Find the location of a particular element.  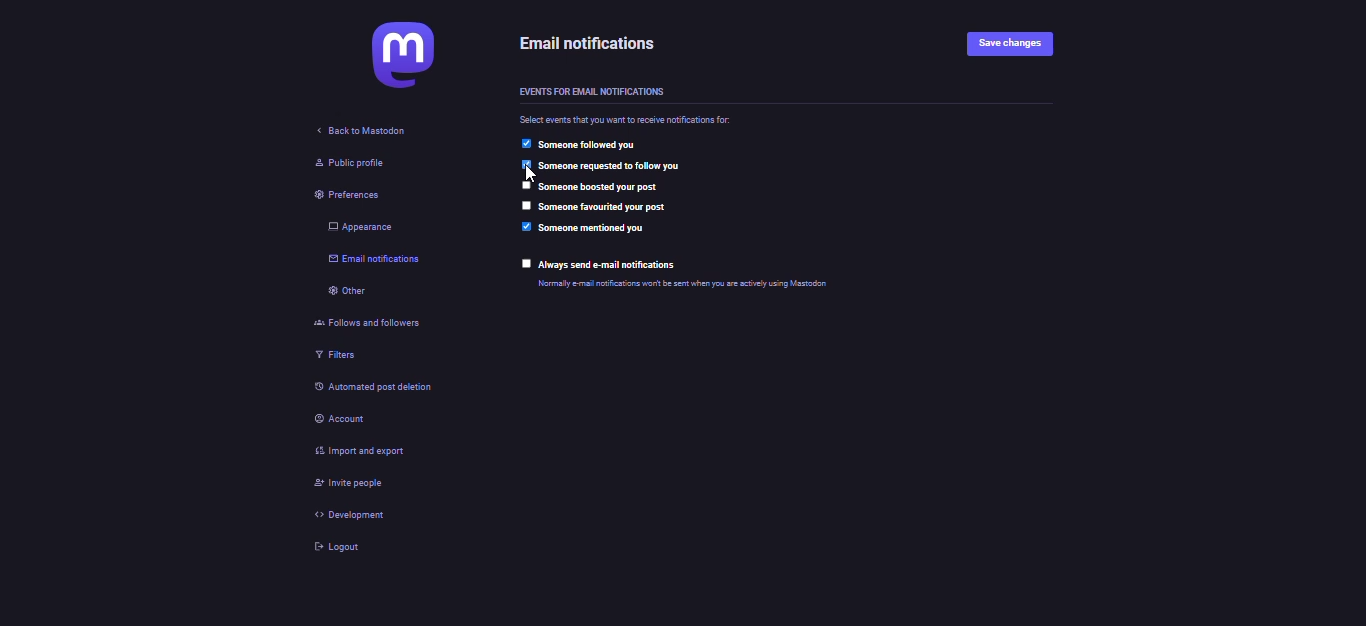

account is located at coordinates (339, 420).